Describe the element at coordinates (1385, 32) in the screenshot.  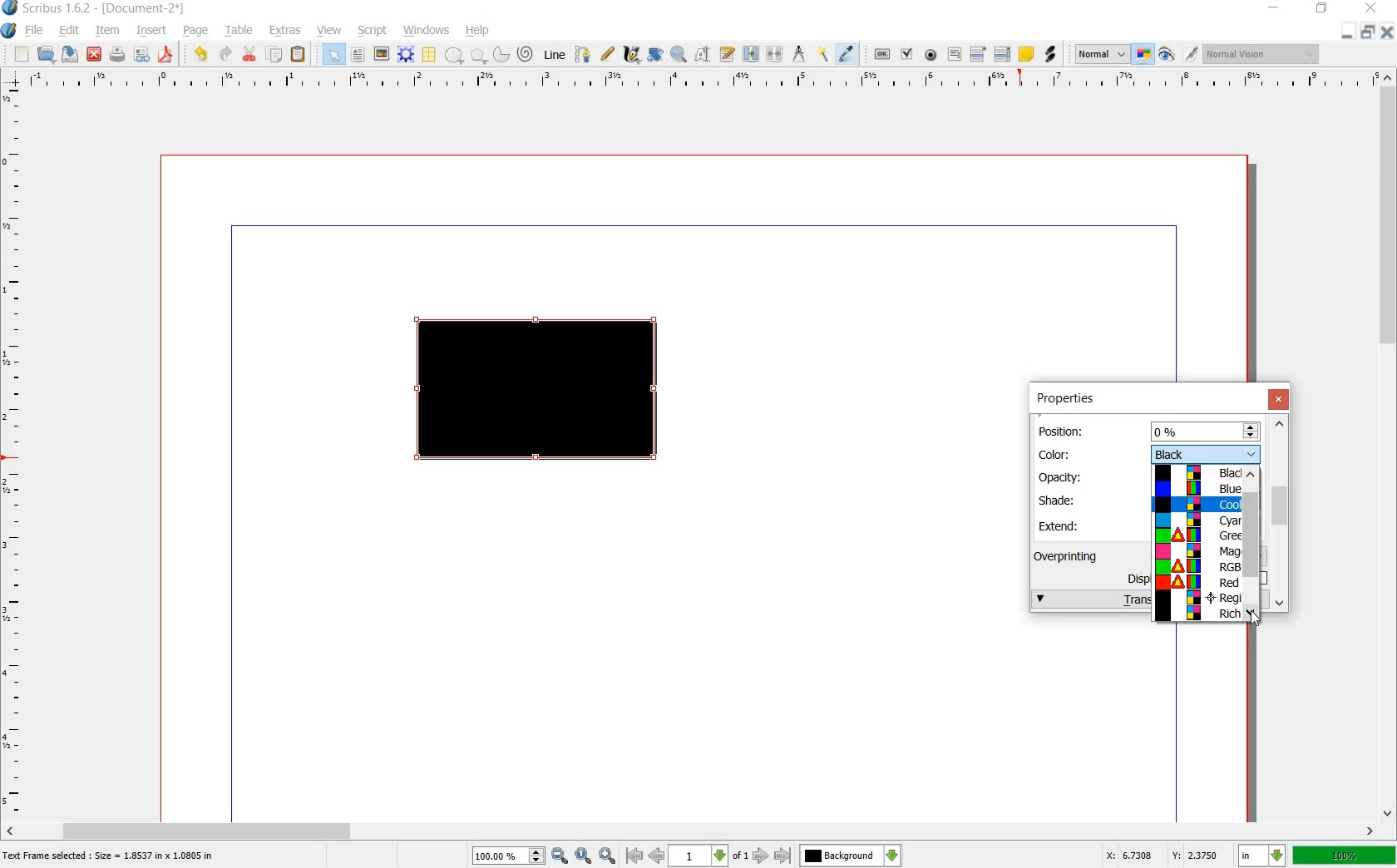
I see `close` at that location.